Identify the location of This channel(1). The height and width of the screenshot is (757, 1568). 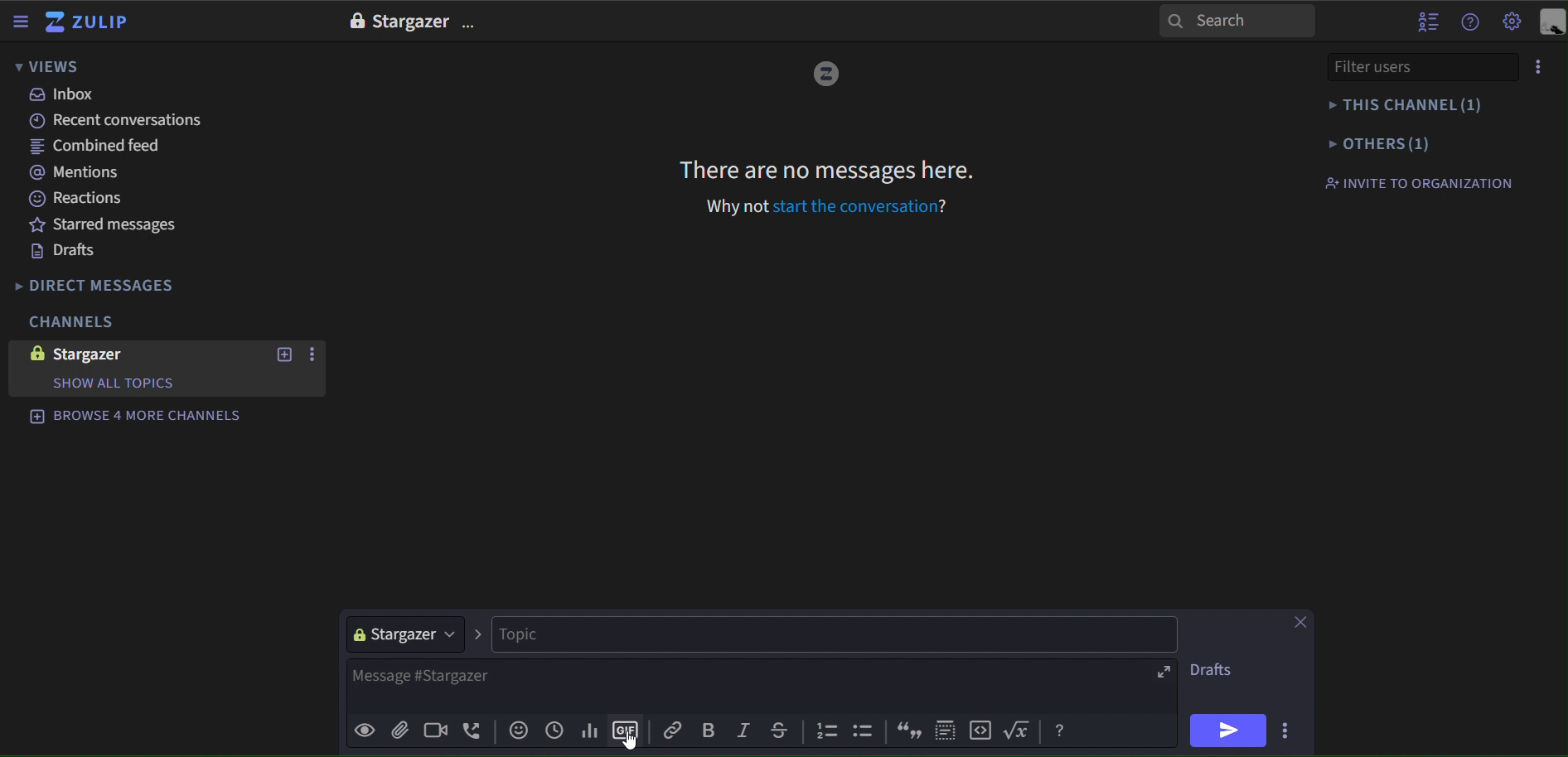
(1412, 105).